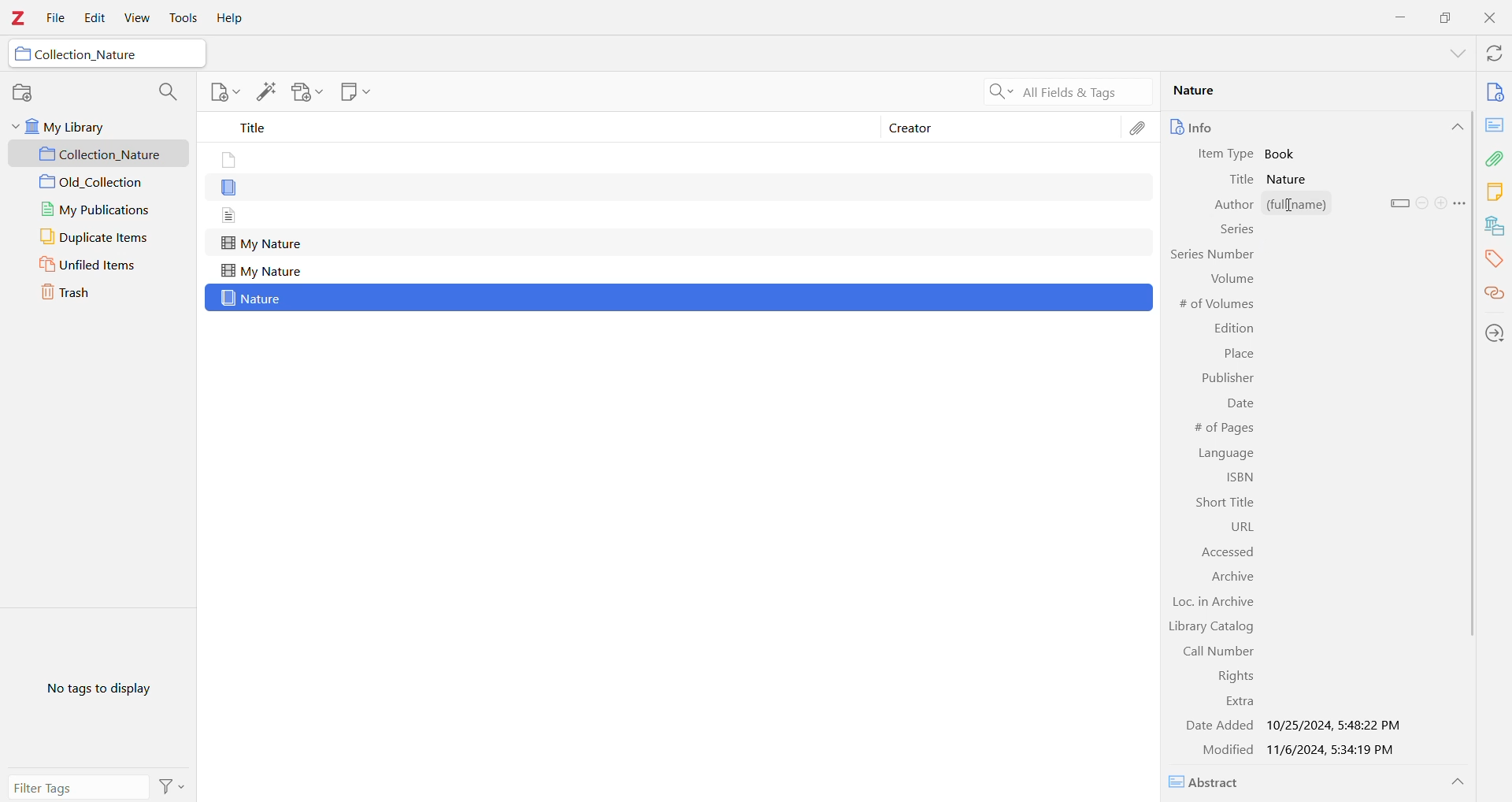  I want to click on Search All Fields & tags, so click(1063, 92).